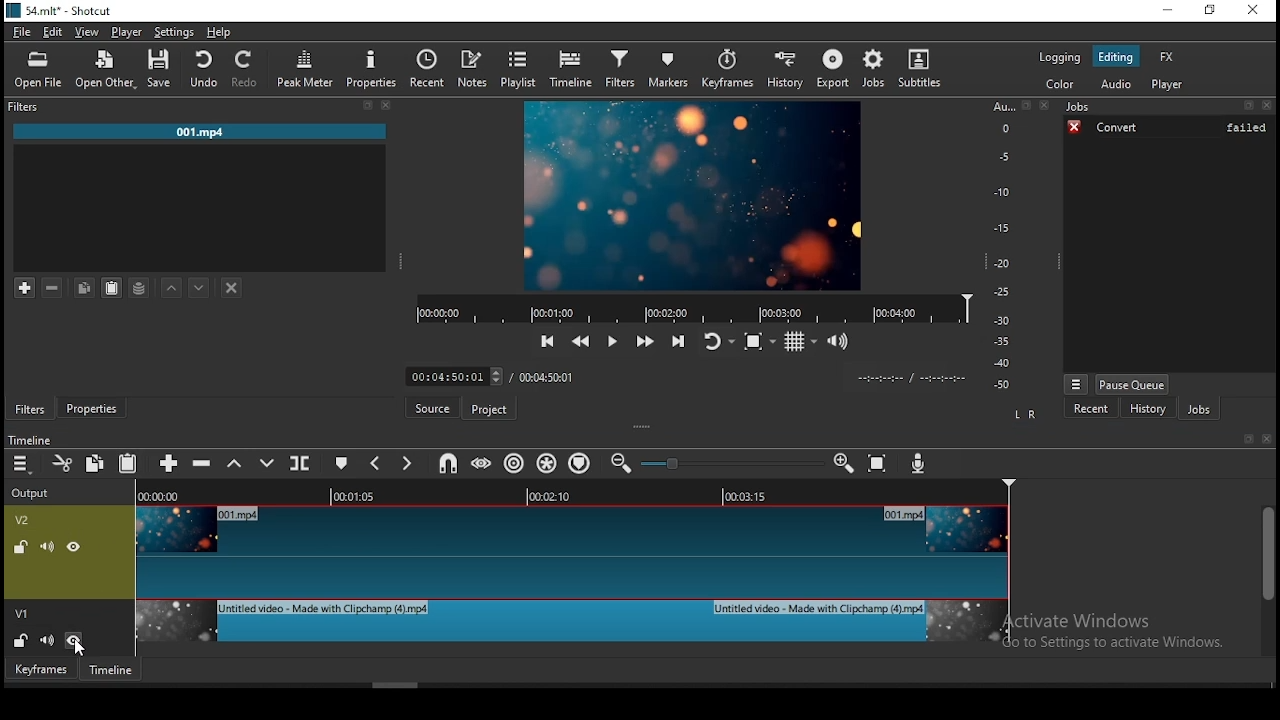 The width and height of the screenshot is (1280, 720). What do you see at coordinates (156, 69) in the screenshot?
I see `save` at bounding box center [156, 69].